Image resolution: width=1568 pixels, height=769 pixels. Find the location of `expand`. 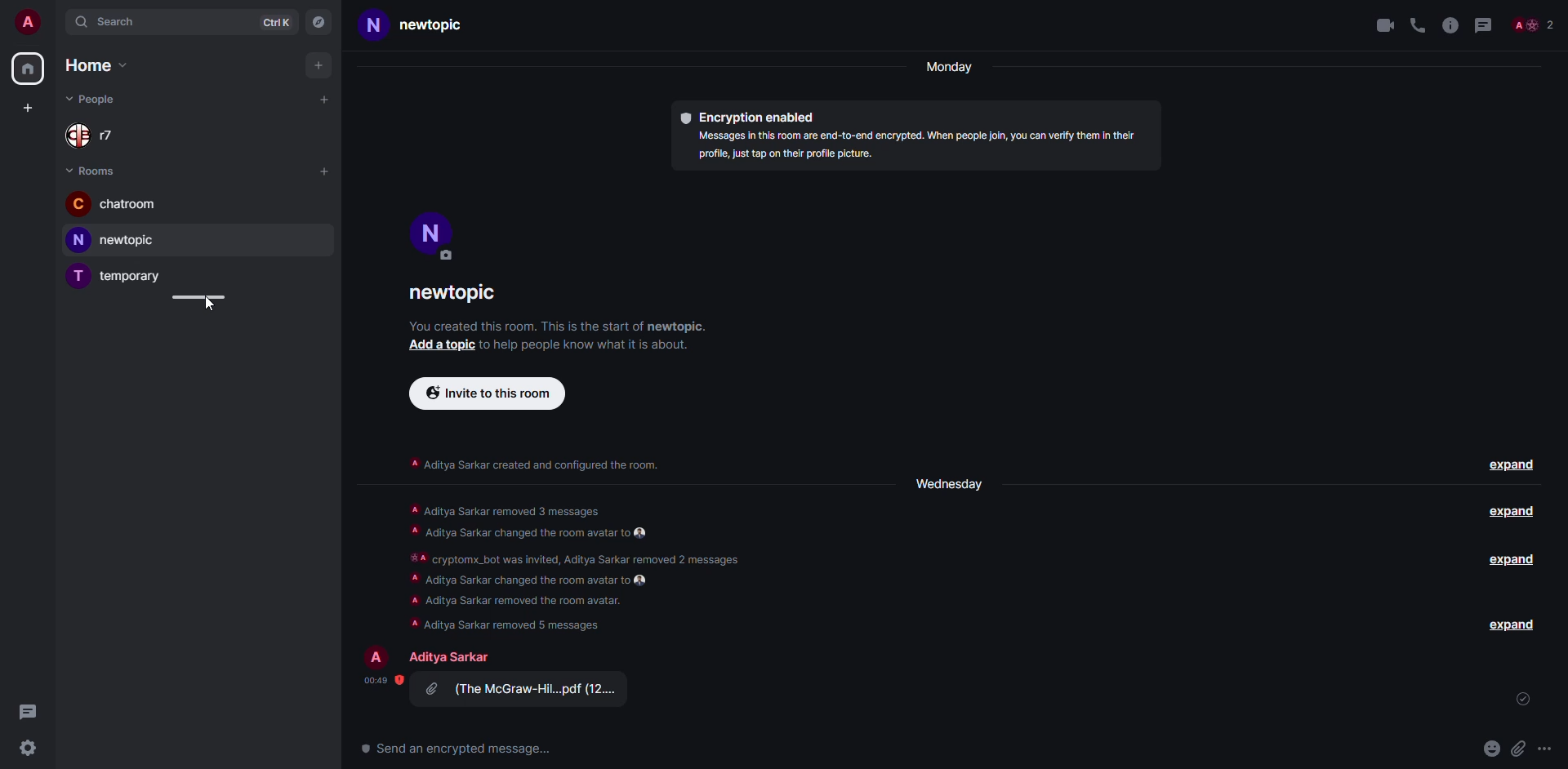

expand is located at coordinates (1512, 466).